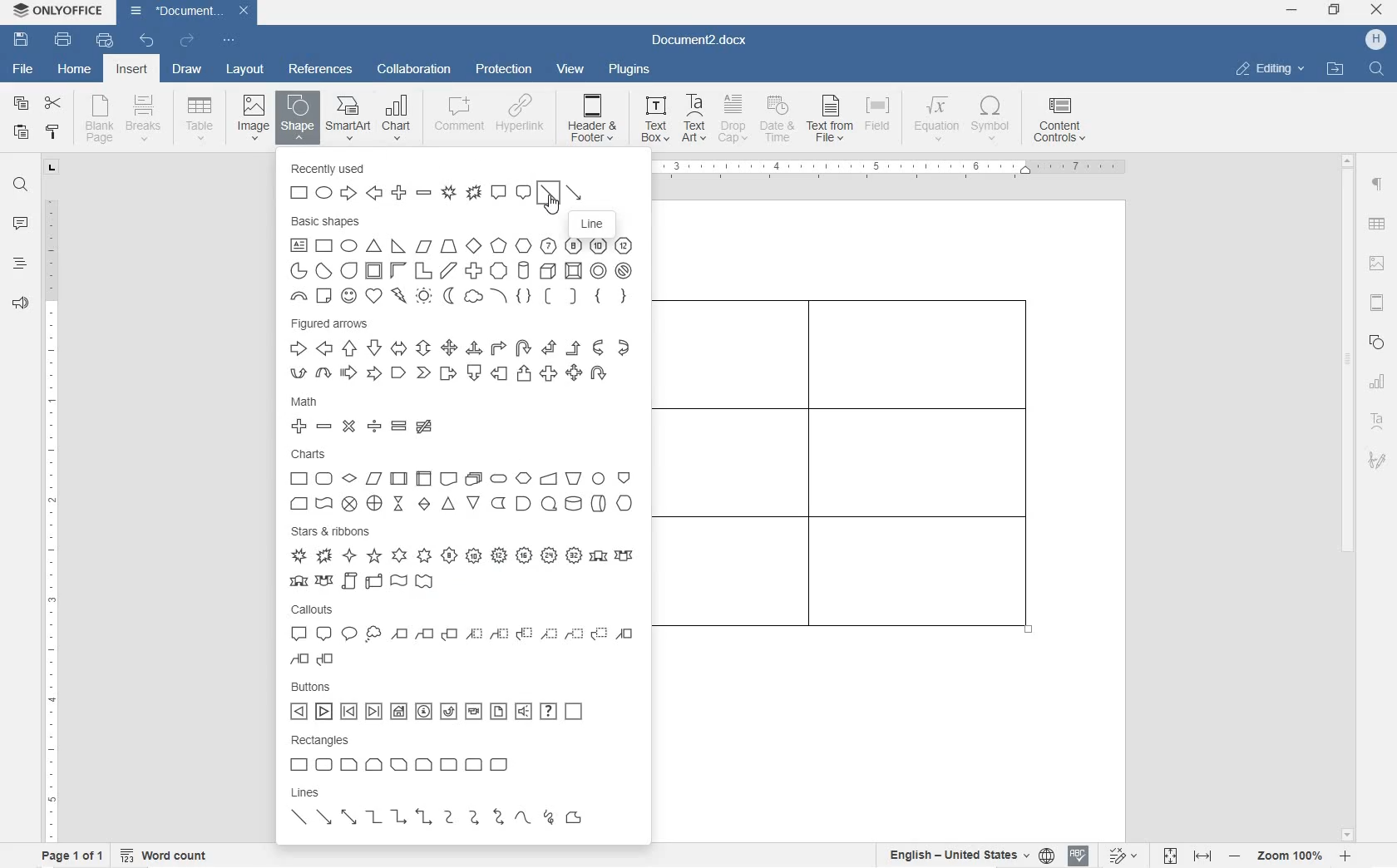 The height and width of the screenshot is (868, 1397). What do you see at coordinates (146, 119) in the screenshot?
I see `insert page breaks` at bounding box center [146, 119].